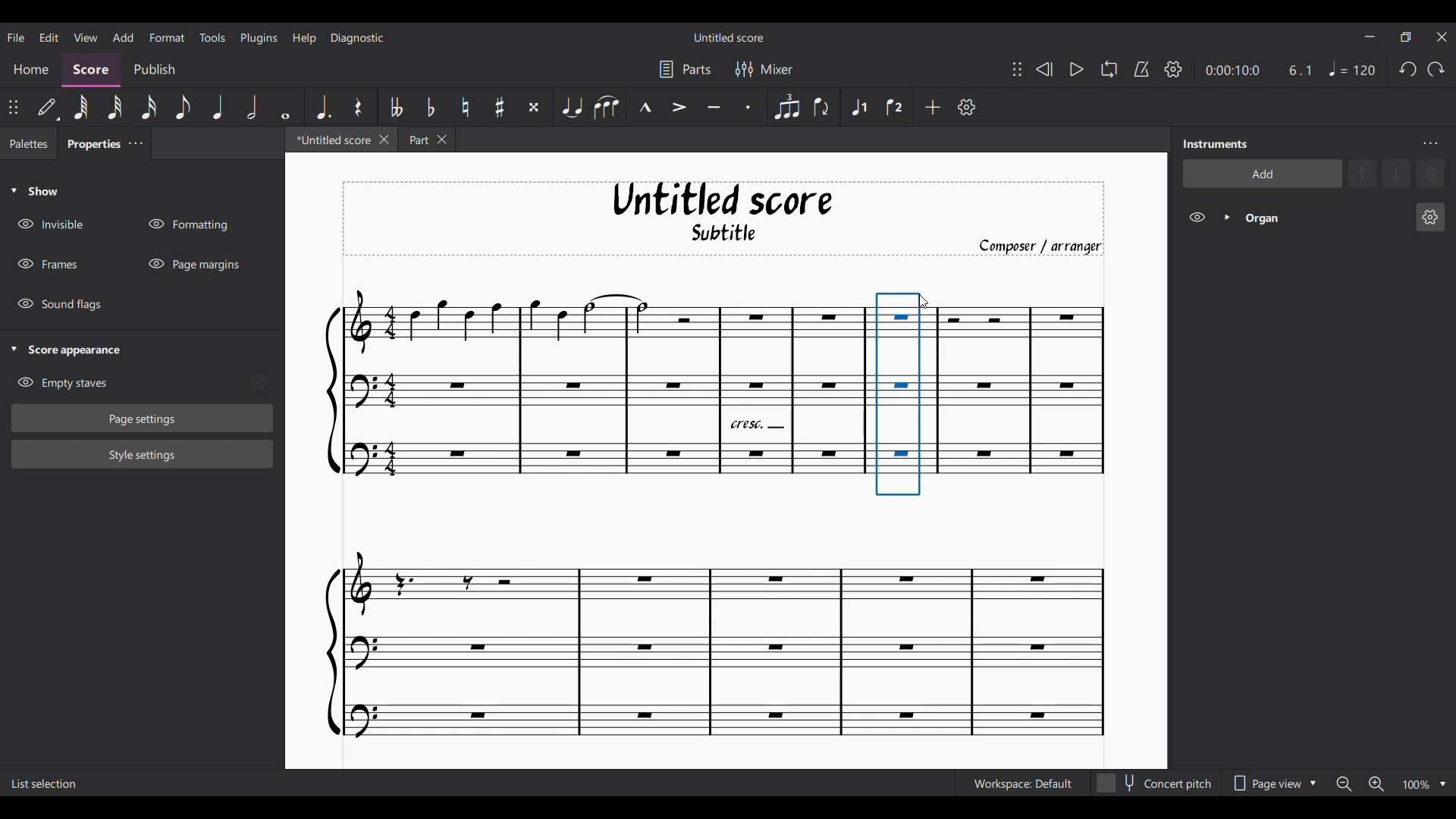 This screenshot has height=819, width=1456. I want to click on Tenuto, so click(715, 107).